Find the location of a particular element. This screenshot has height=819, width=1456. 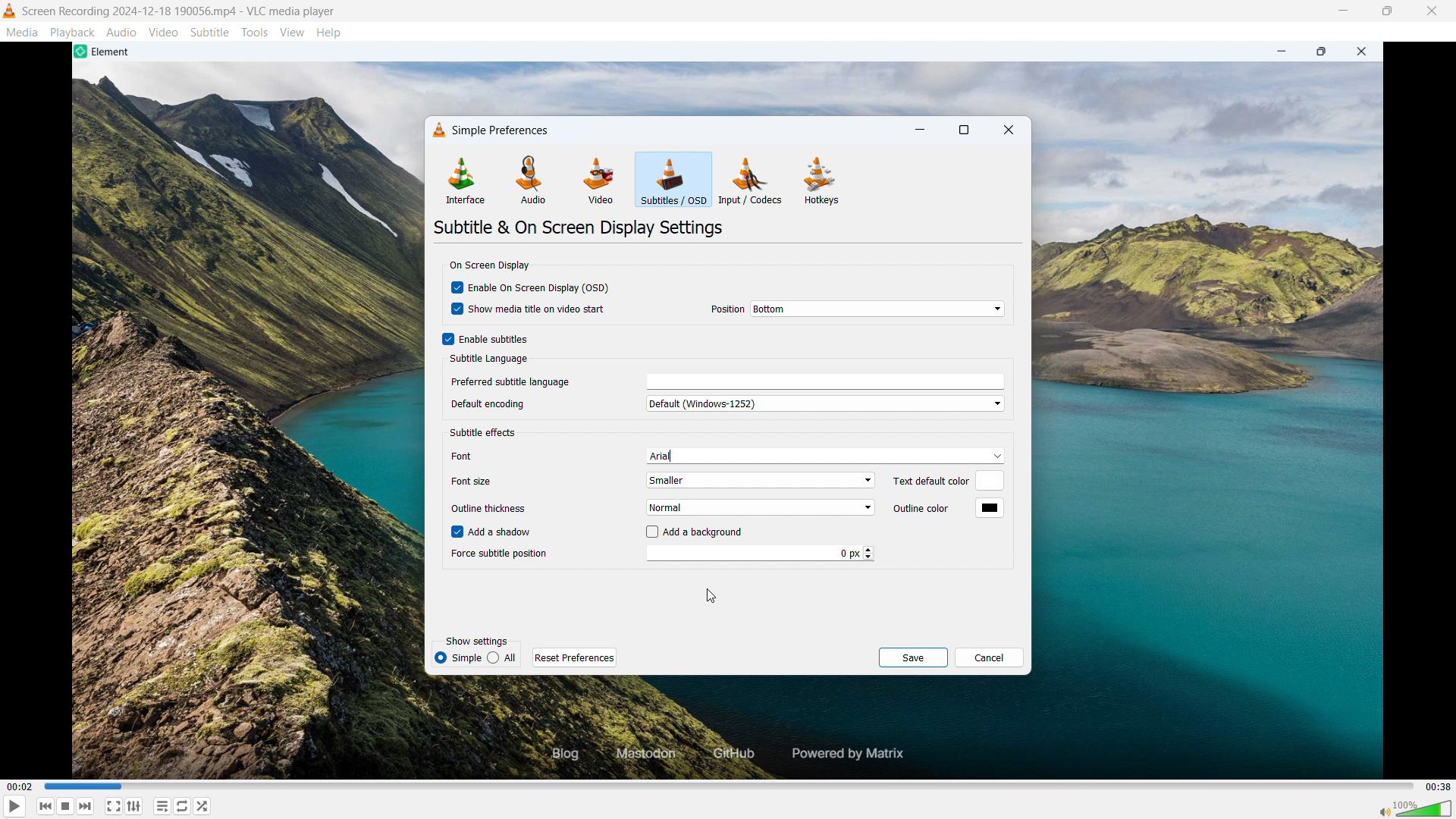

audio is located at coordinates (122, 31).